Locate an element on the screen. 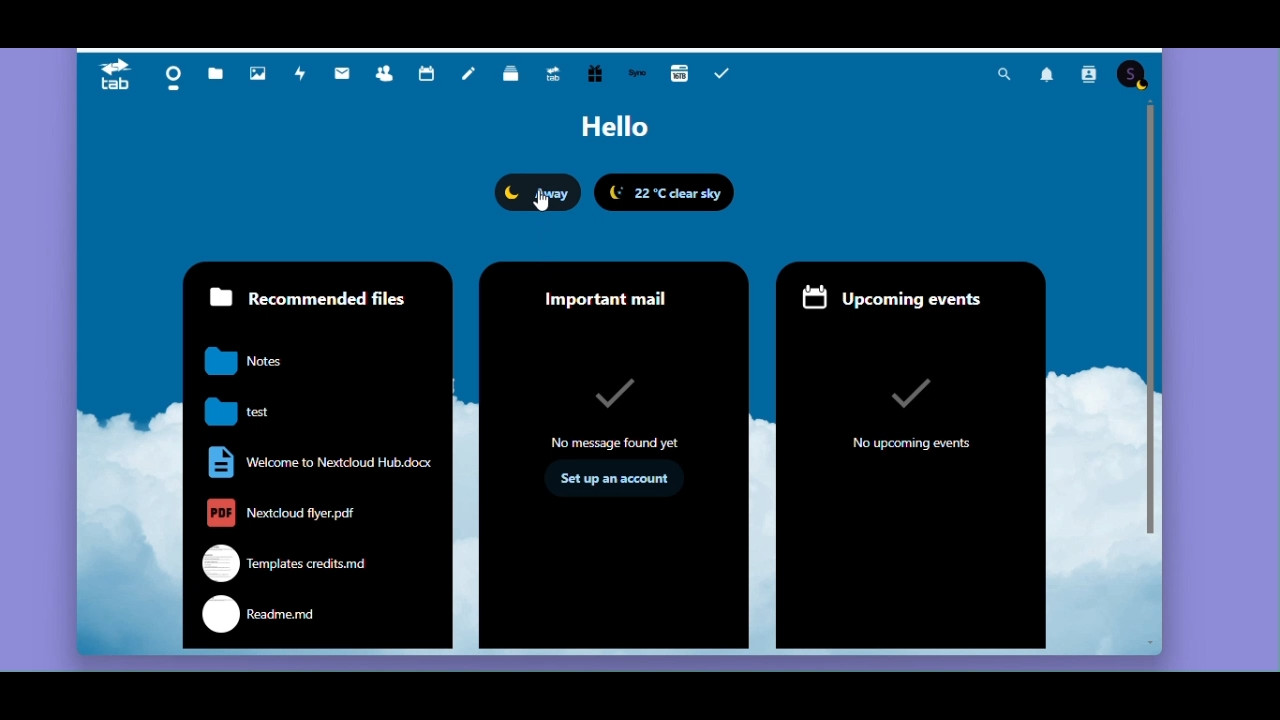 The width and height of the screenshot is (1280, 720). Calendar is located at coordinates (427, 71).